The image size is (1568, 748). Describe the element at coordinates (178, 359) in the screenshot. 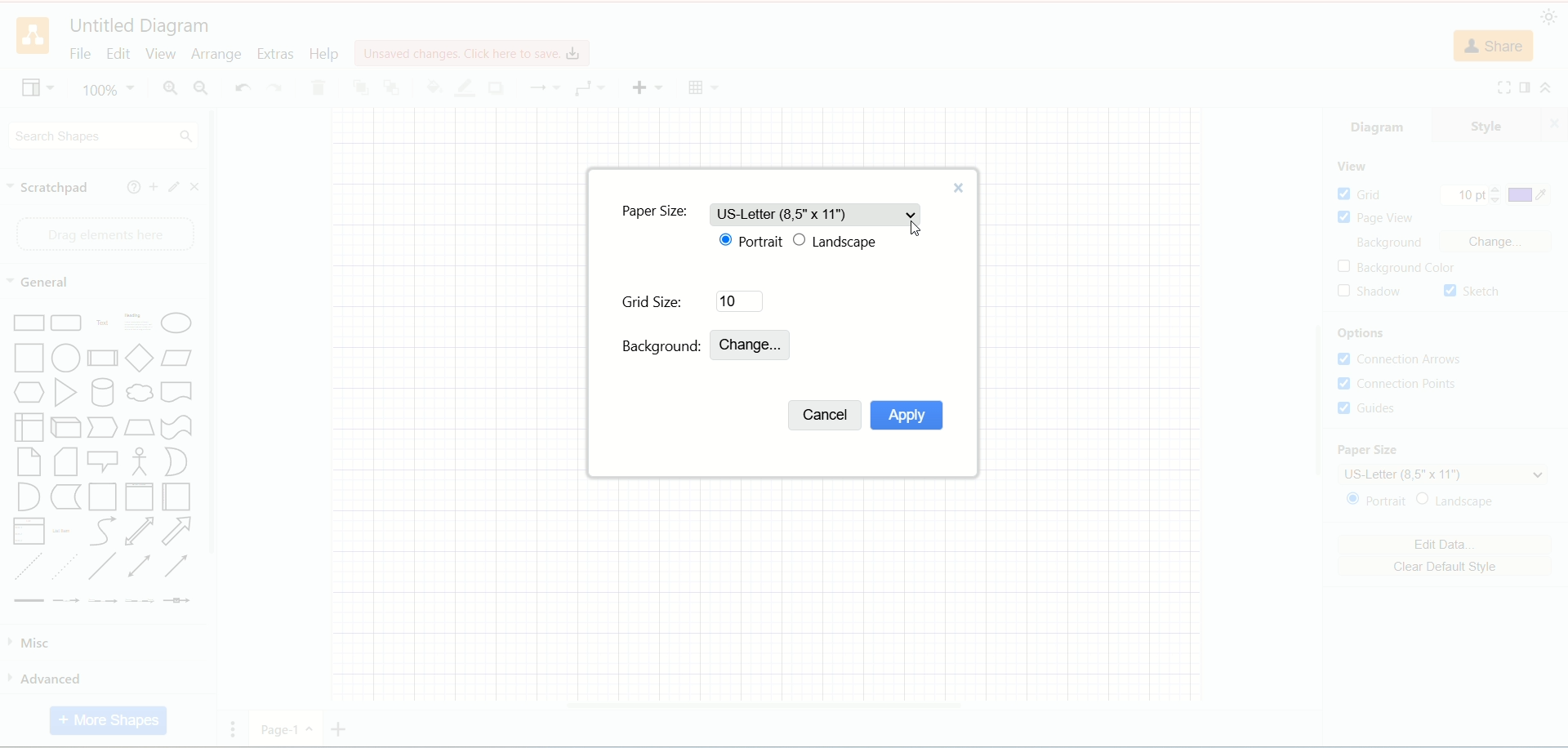

I see `Parallelogram` at that location.